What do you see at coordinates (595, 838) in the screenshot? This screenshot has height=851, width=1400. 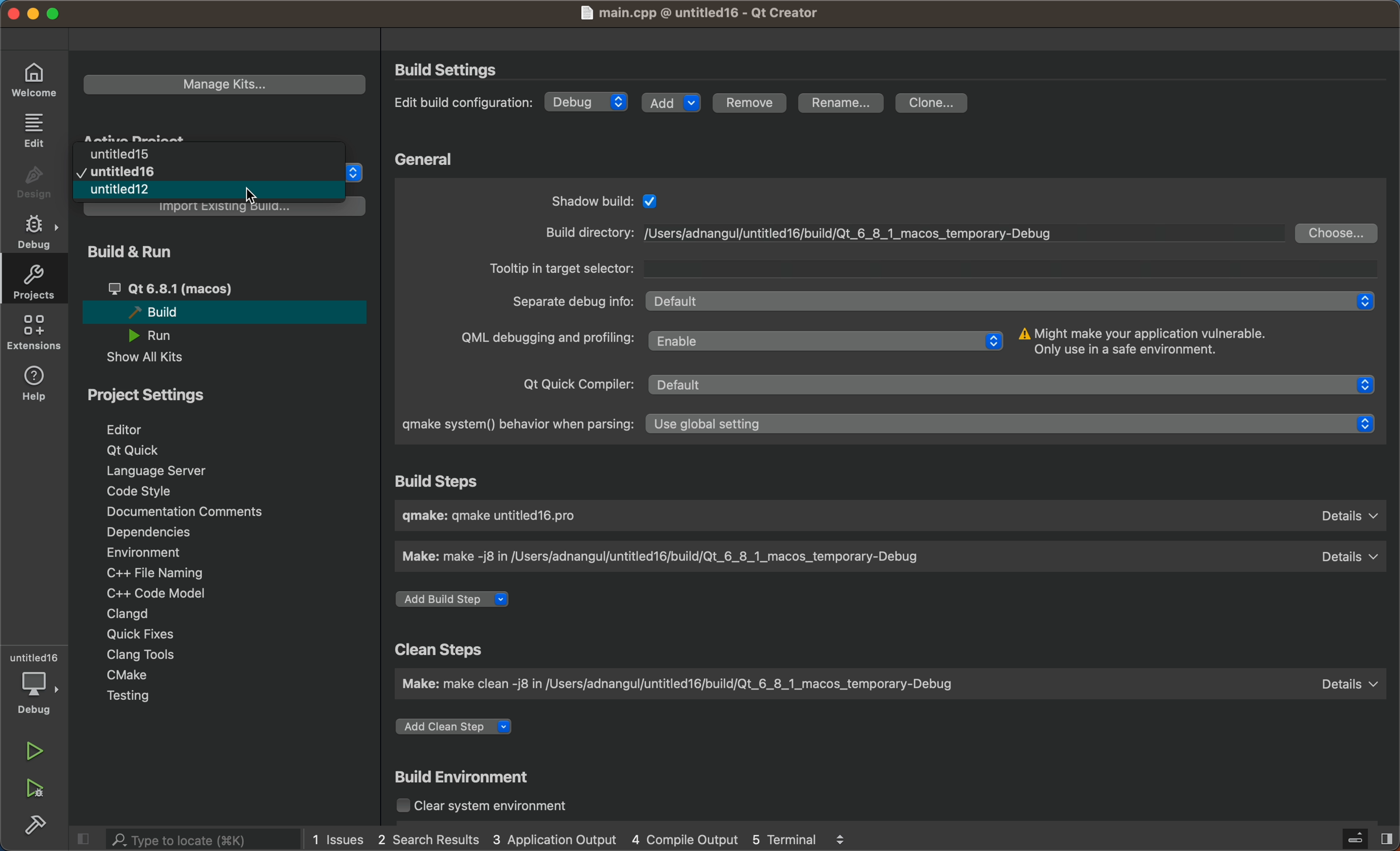 I see `logs` at bounding box center [595, 838].